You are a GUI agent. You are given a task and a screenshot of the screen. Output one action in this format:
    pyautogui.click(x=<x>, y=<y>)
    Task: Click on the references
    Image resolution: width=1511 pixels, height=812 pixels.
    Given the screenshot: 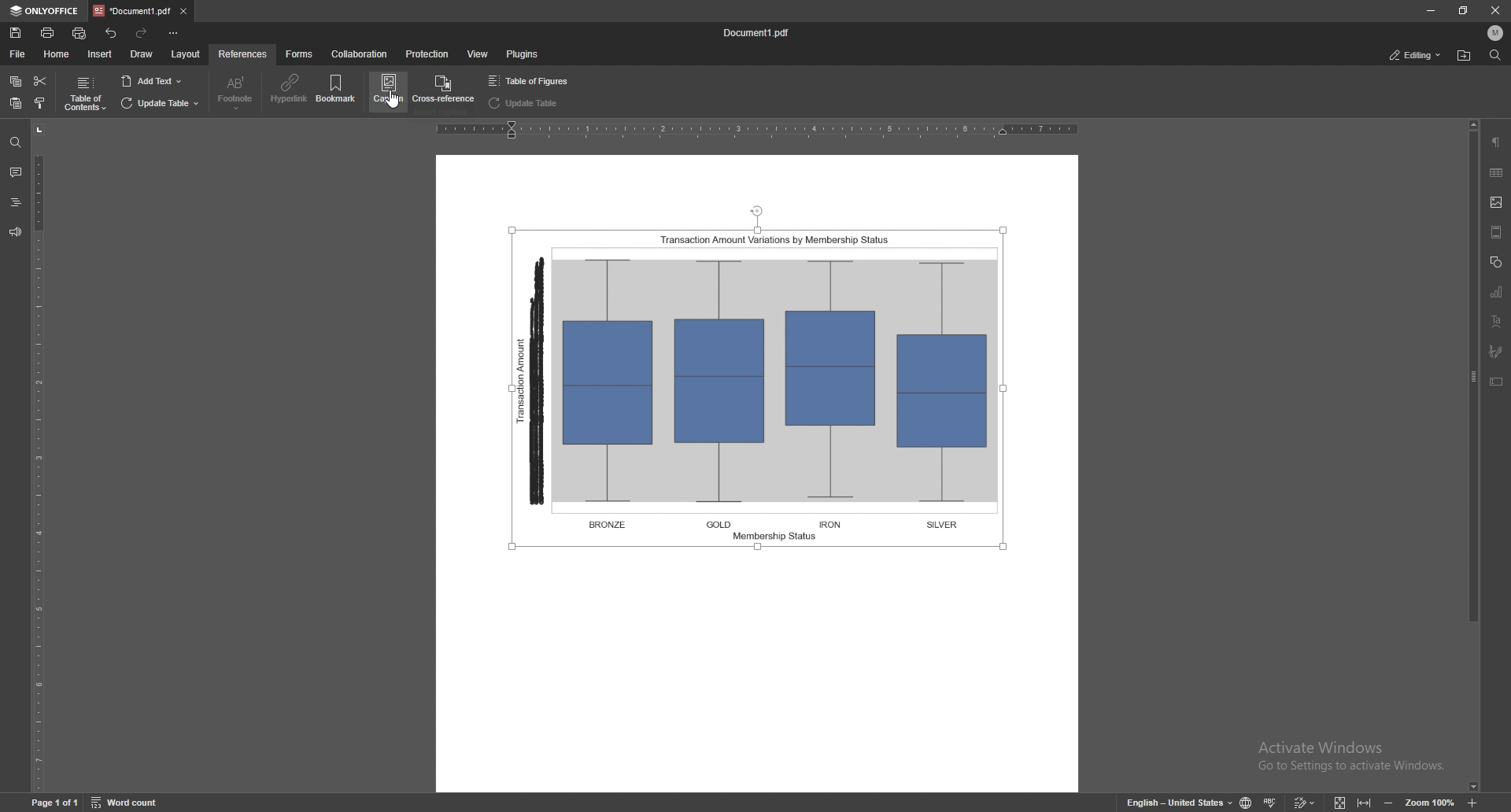 What is the action you would take?
    pyautogui.click(x=242, y=54)
    